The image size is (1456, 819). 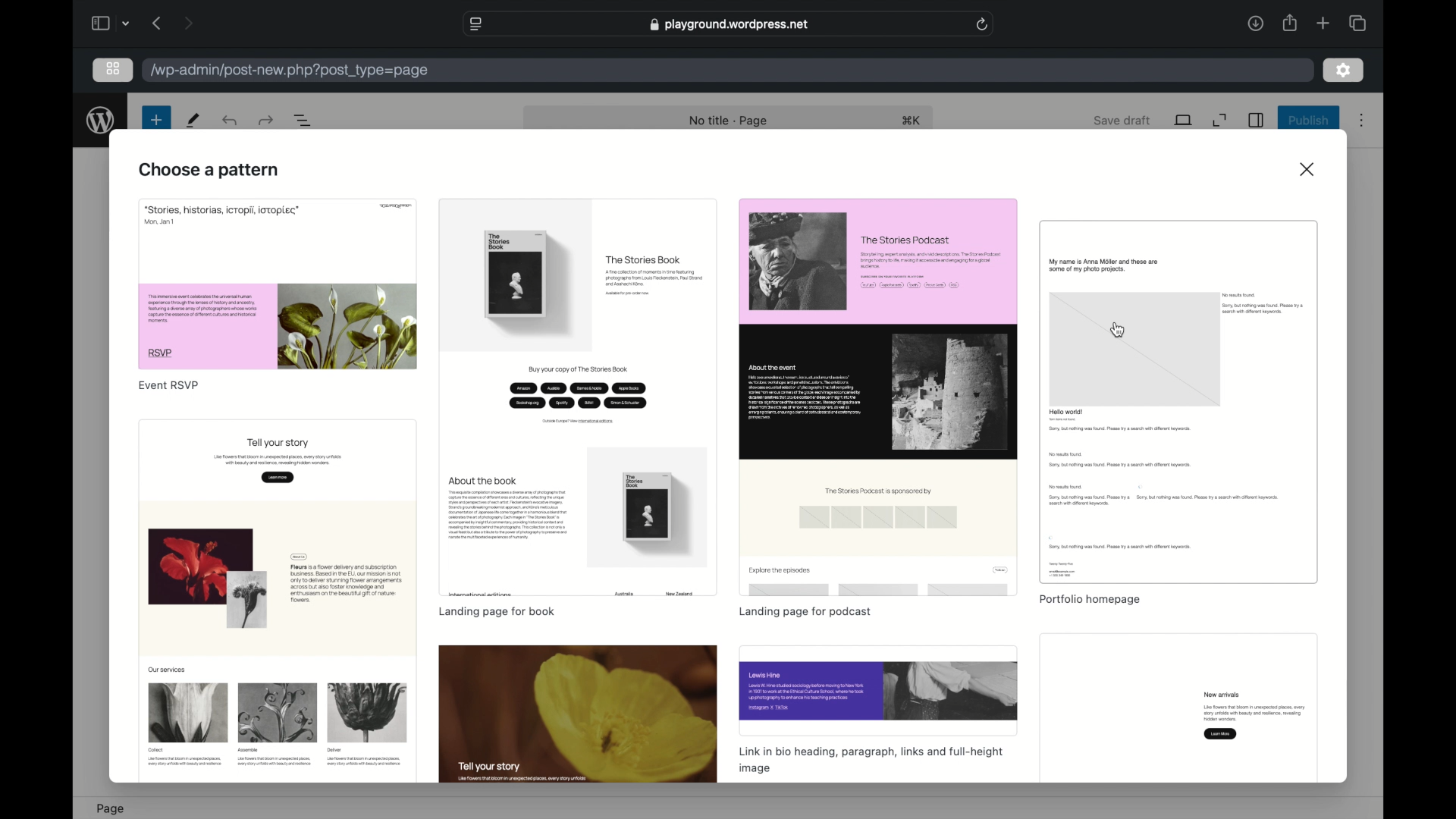 I want to click on link in bio  heading, paragraph, links and full-height image, so click(x=872, y=760).